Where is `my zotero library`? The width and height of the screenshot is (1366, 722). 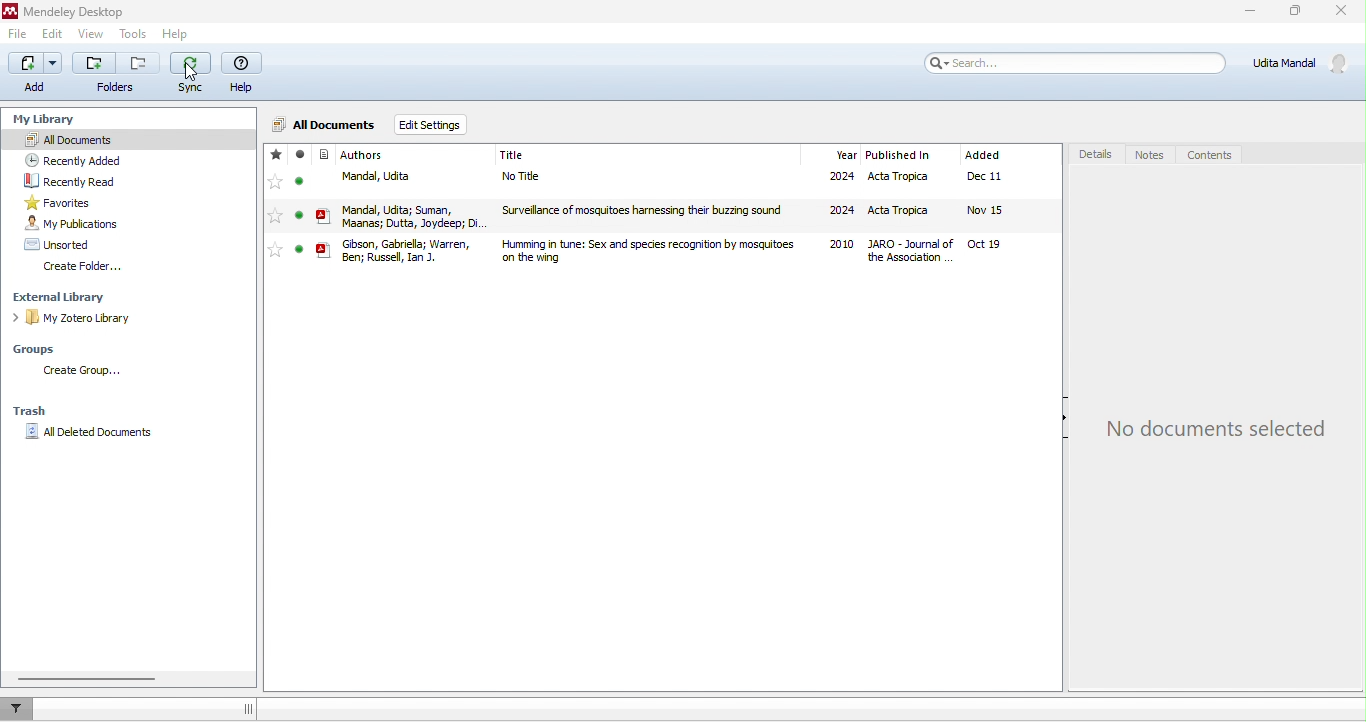
my zotero library is located at coordinates (79, 321).